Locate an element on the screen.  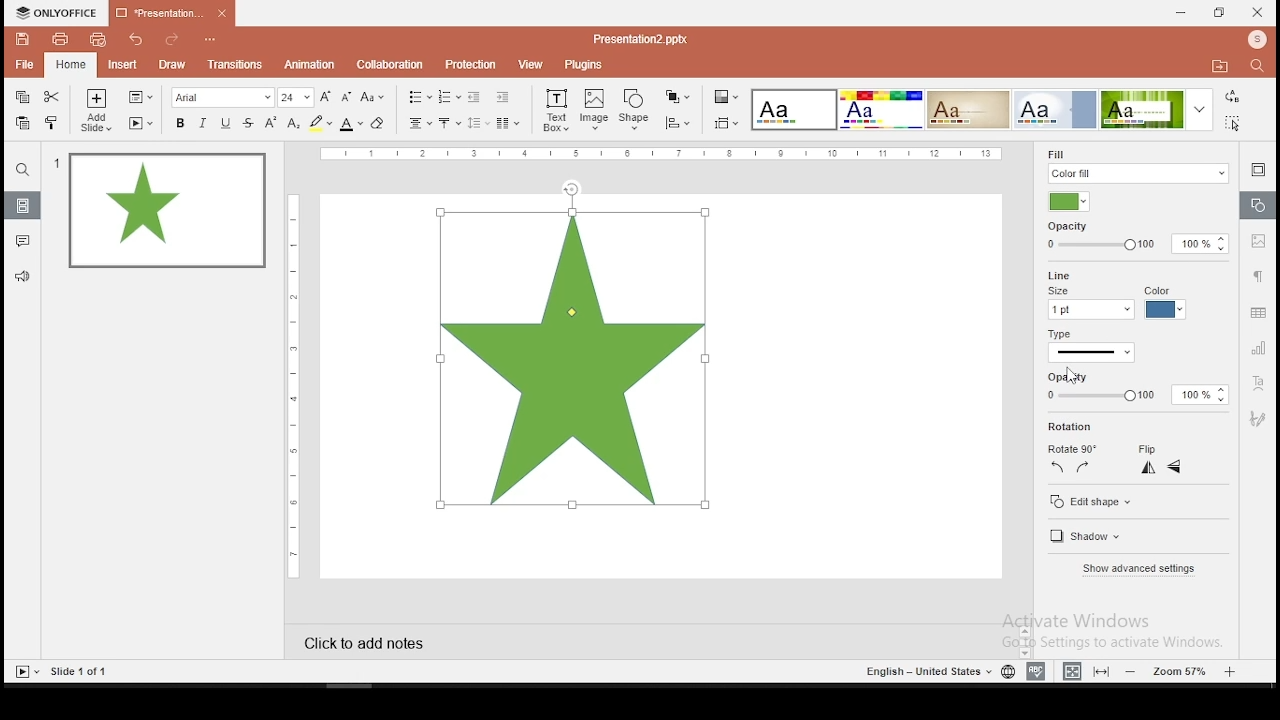
vertical alignment is located at coordinates (448, 124).